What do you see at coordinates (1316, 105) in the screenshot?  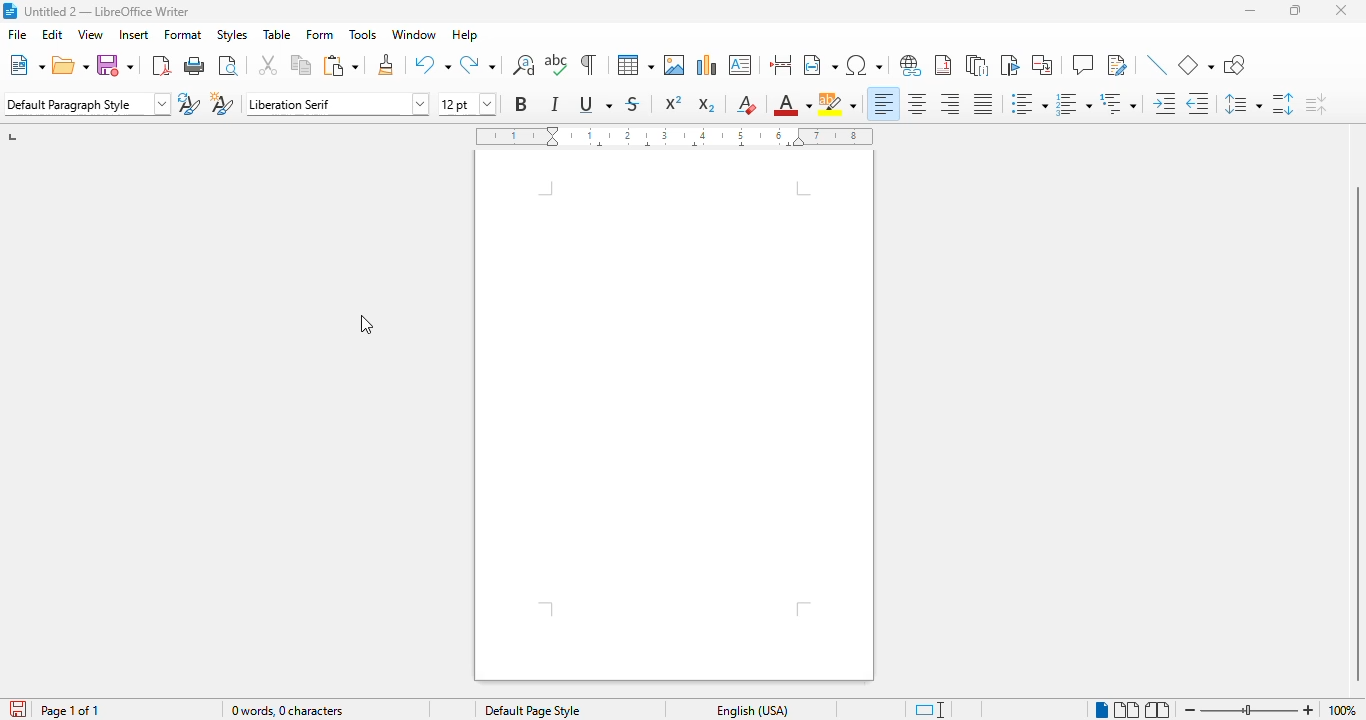 I see `decrease paragraph spacing` at bounding box center [1316, 105].